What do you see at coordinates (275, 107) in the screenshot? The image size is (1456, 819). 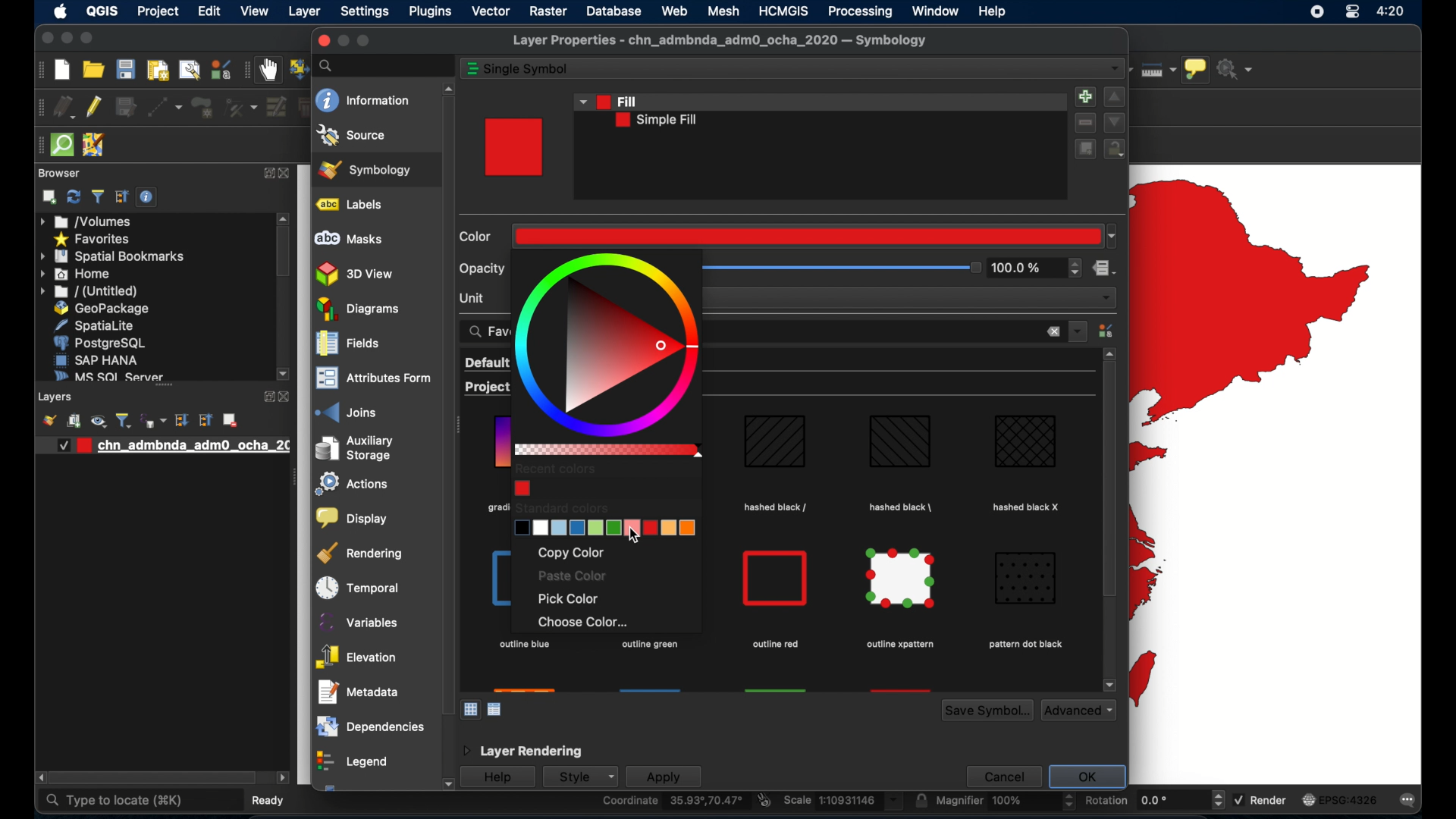 I see `modify attributes` at bounding box center [275, 107].